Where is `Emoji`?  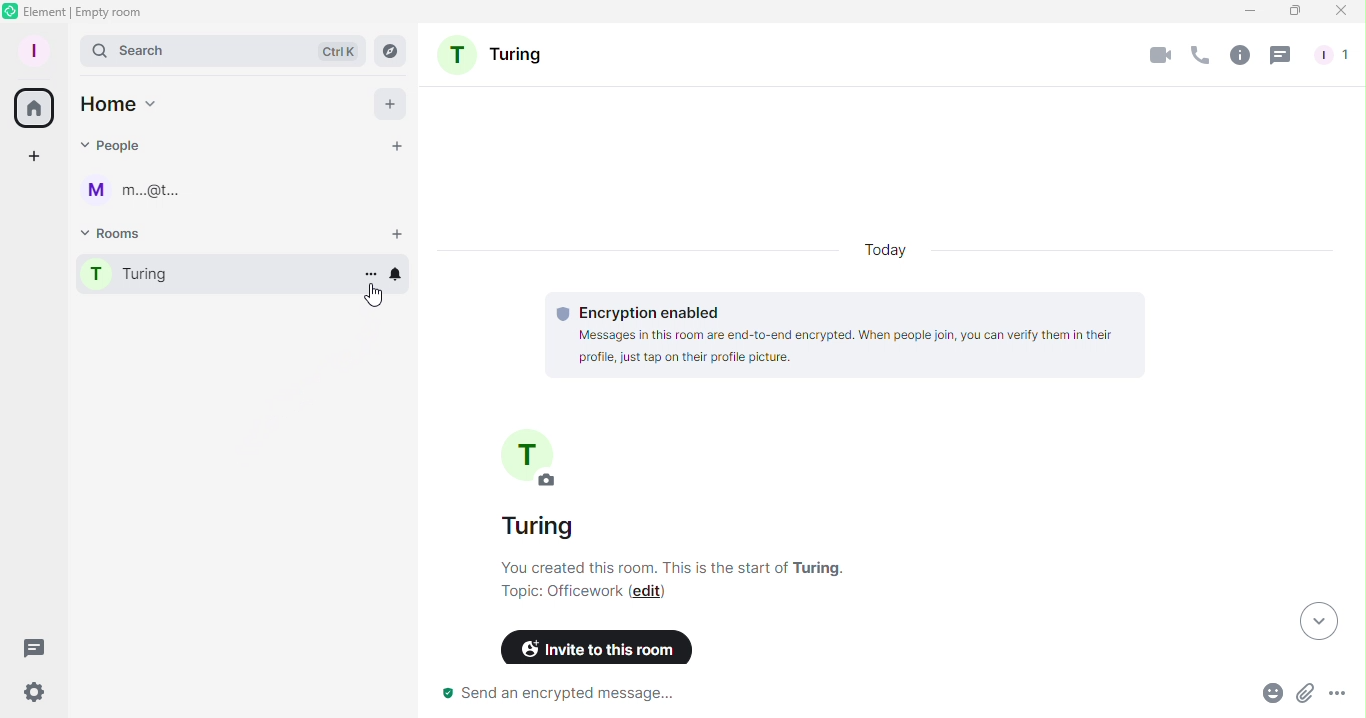 Emoji is located at coordinates (1272, 695).